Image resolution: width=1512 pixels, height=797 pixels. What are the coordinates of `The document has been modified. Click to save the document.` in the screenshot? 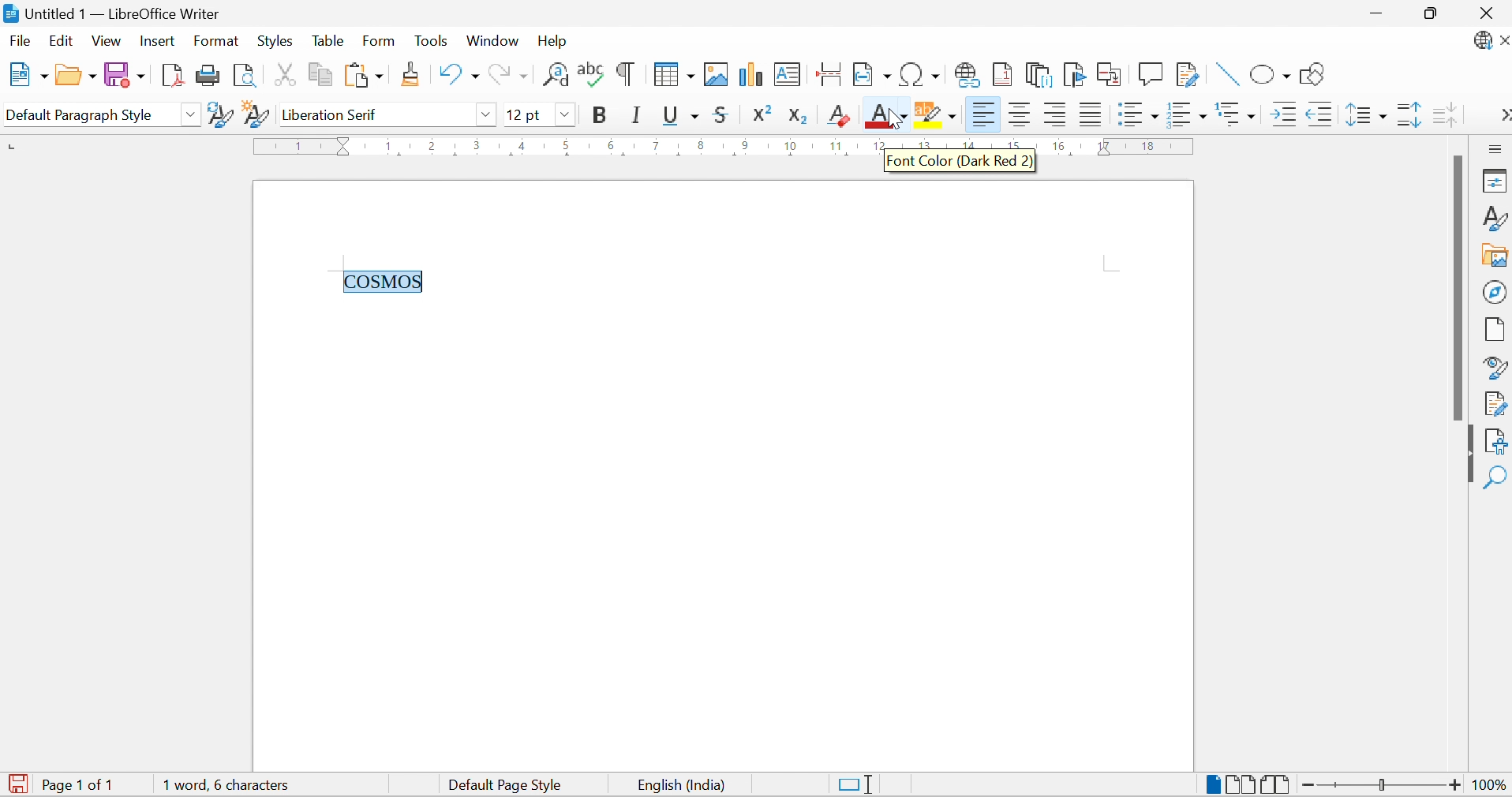 It's located at (17, 784).